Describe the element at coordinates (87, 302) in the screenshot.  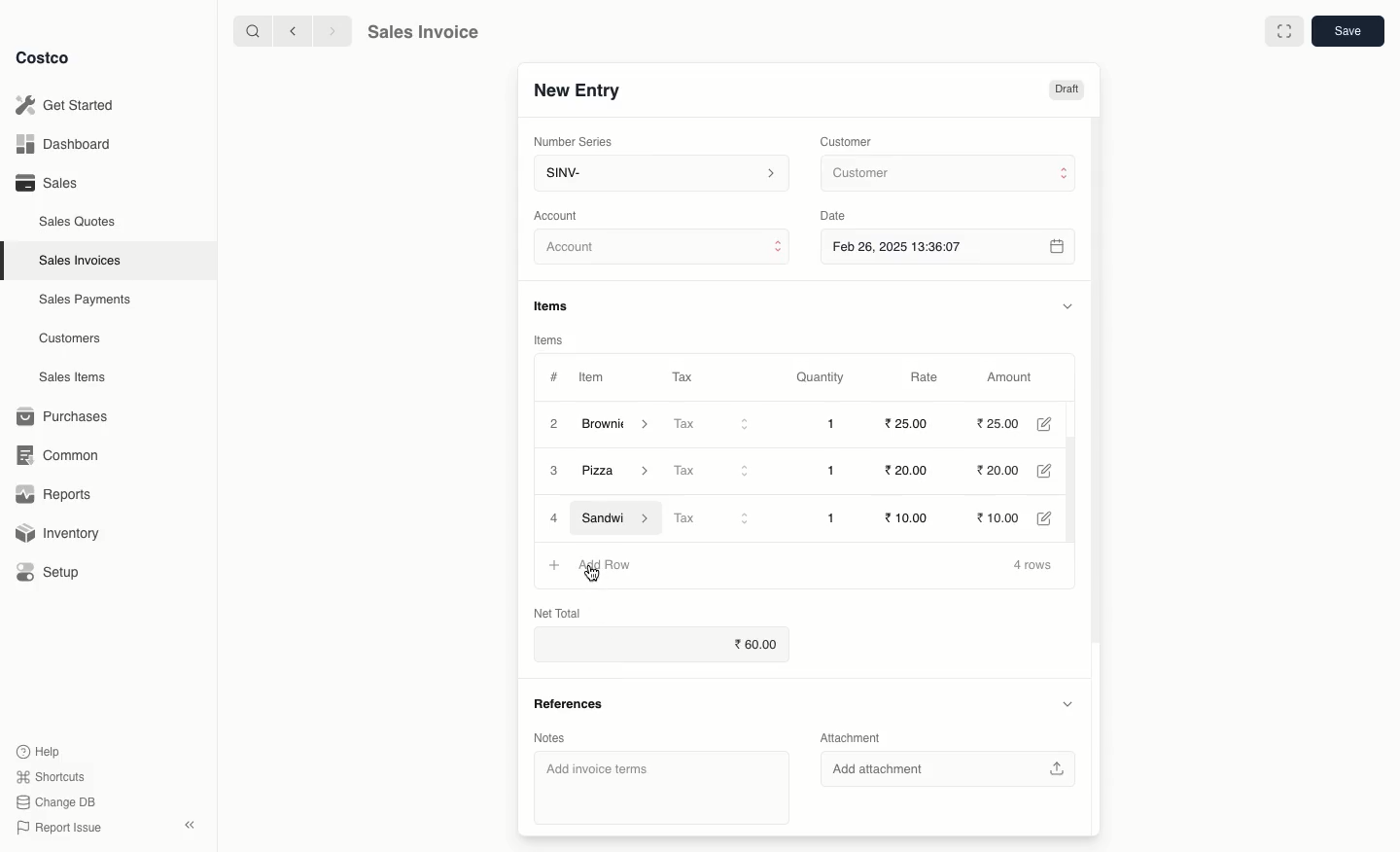
I see `Sales Payments.` at that location.